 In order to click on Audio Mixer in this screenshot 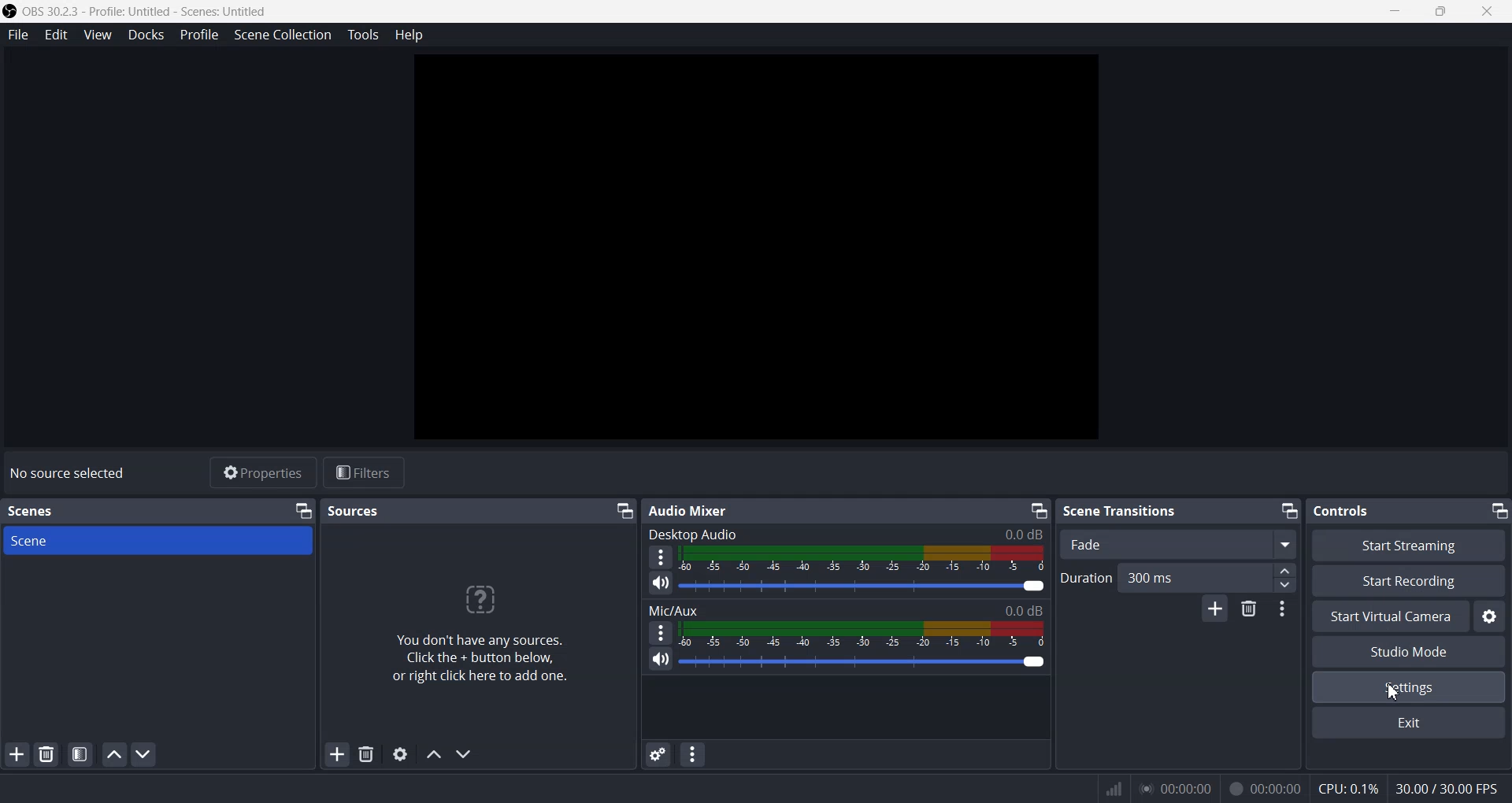, I will do `click(689, 513)`.